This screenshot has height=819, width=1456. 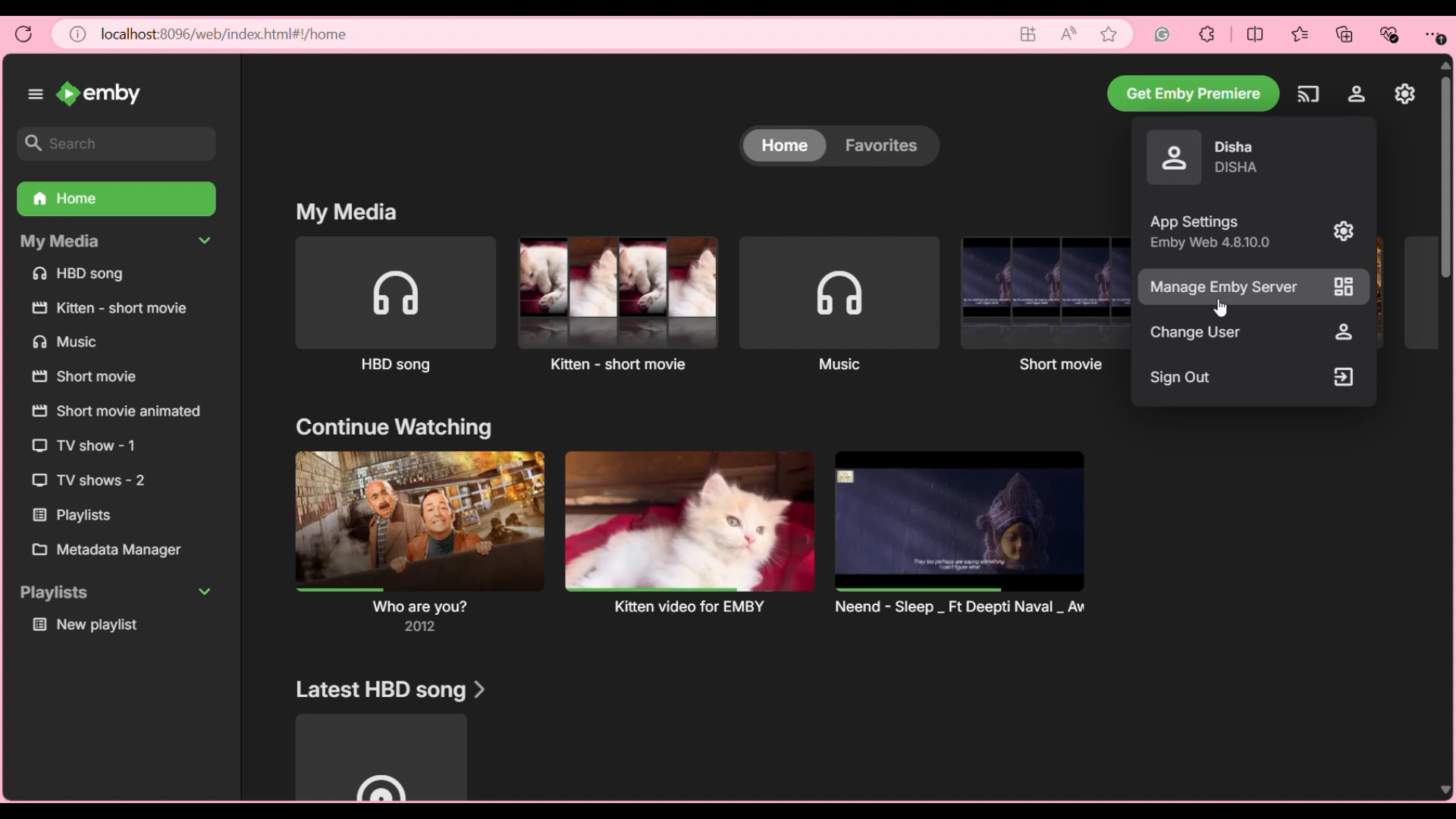 I want to click on Browser favorites, so click(x=1301, y=34).